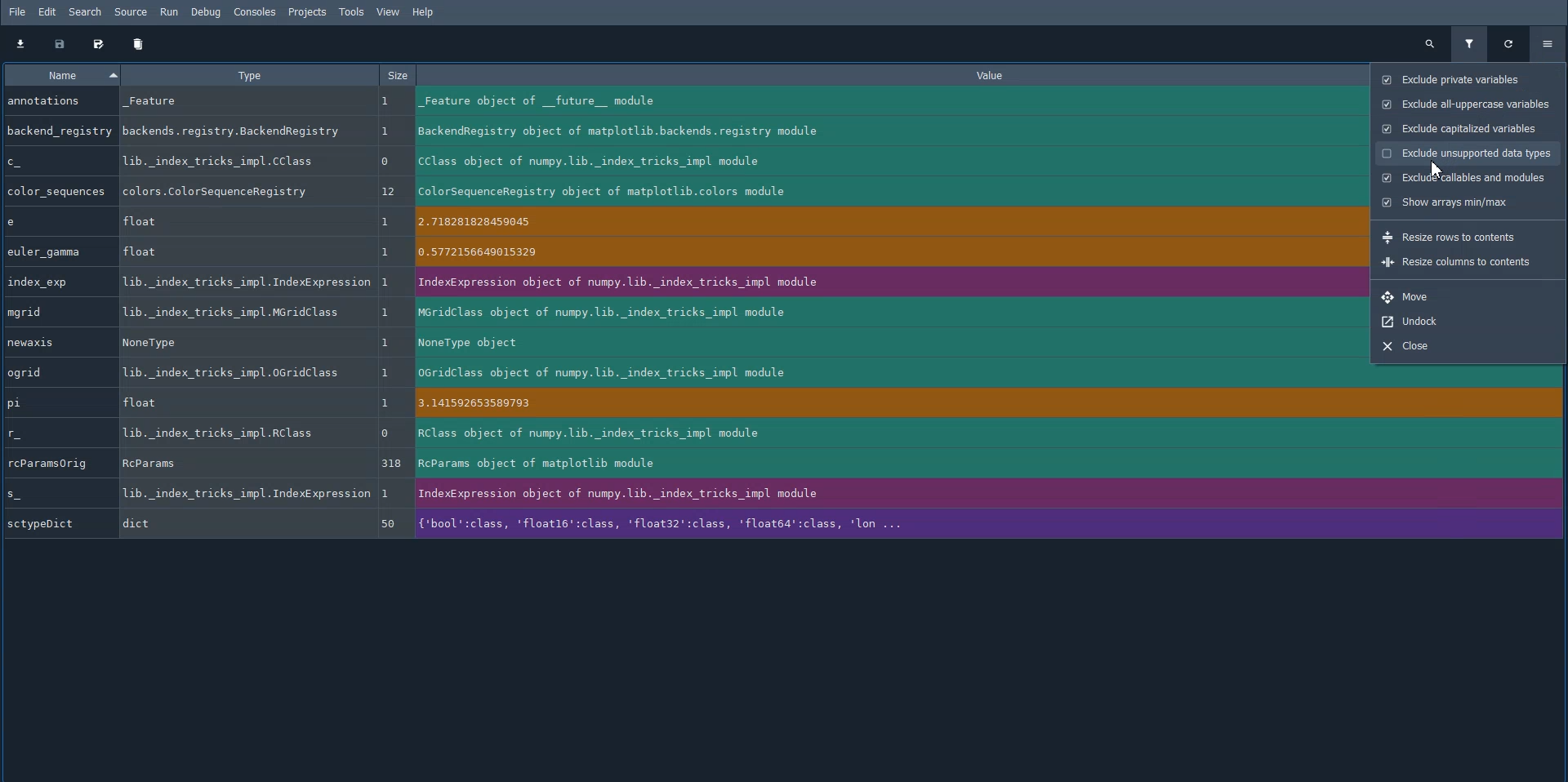 The image size is (1568, 782). I want to click on type value, so click(237, 130).